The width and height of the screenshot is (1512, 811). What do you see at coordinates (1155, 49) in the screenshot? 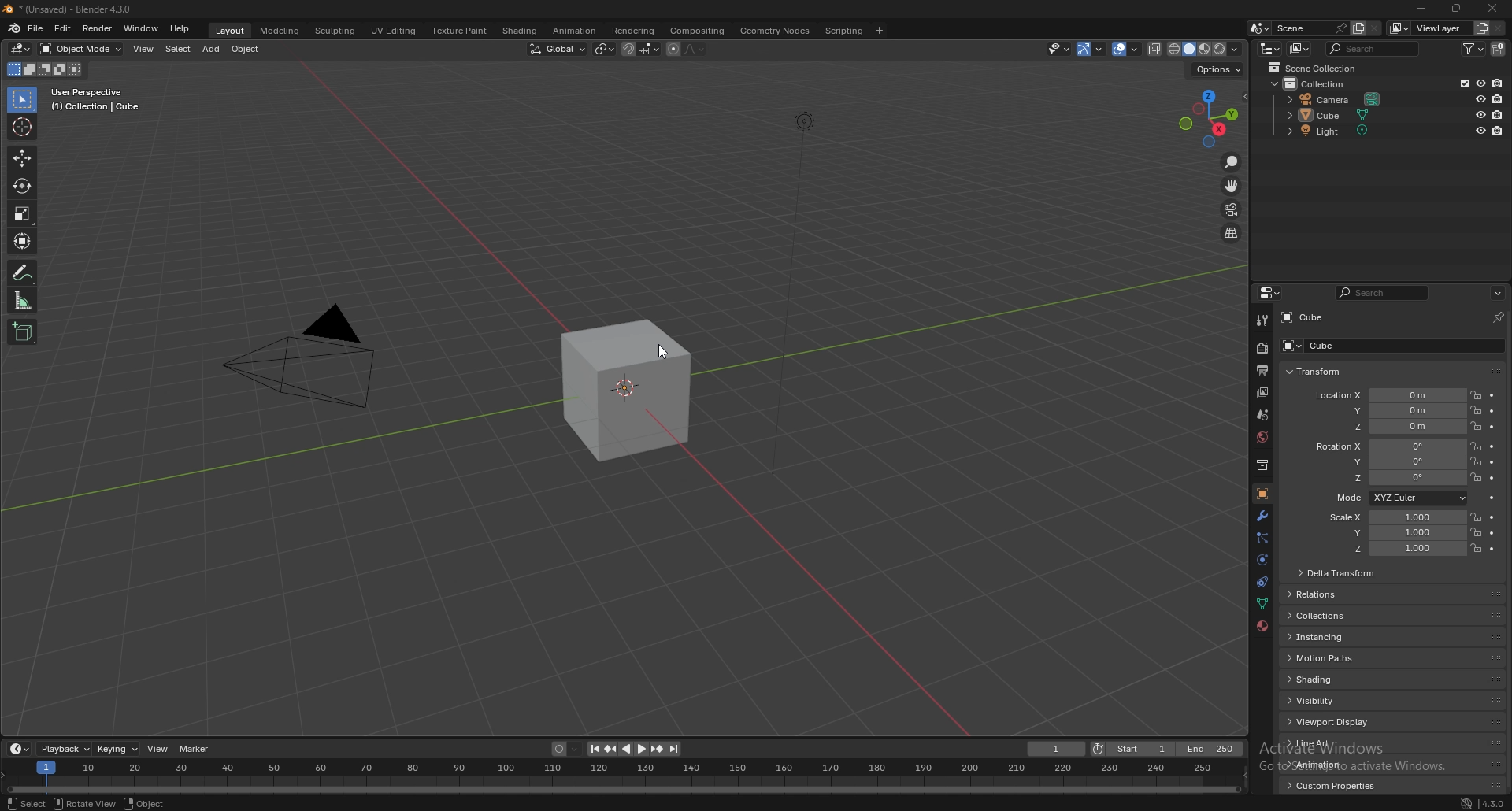
I see `toggle xray` at bounding box center [1155, 49].